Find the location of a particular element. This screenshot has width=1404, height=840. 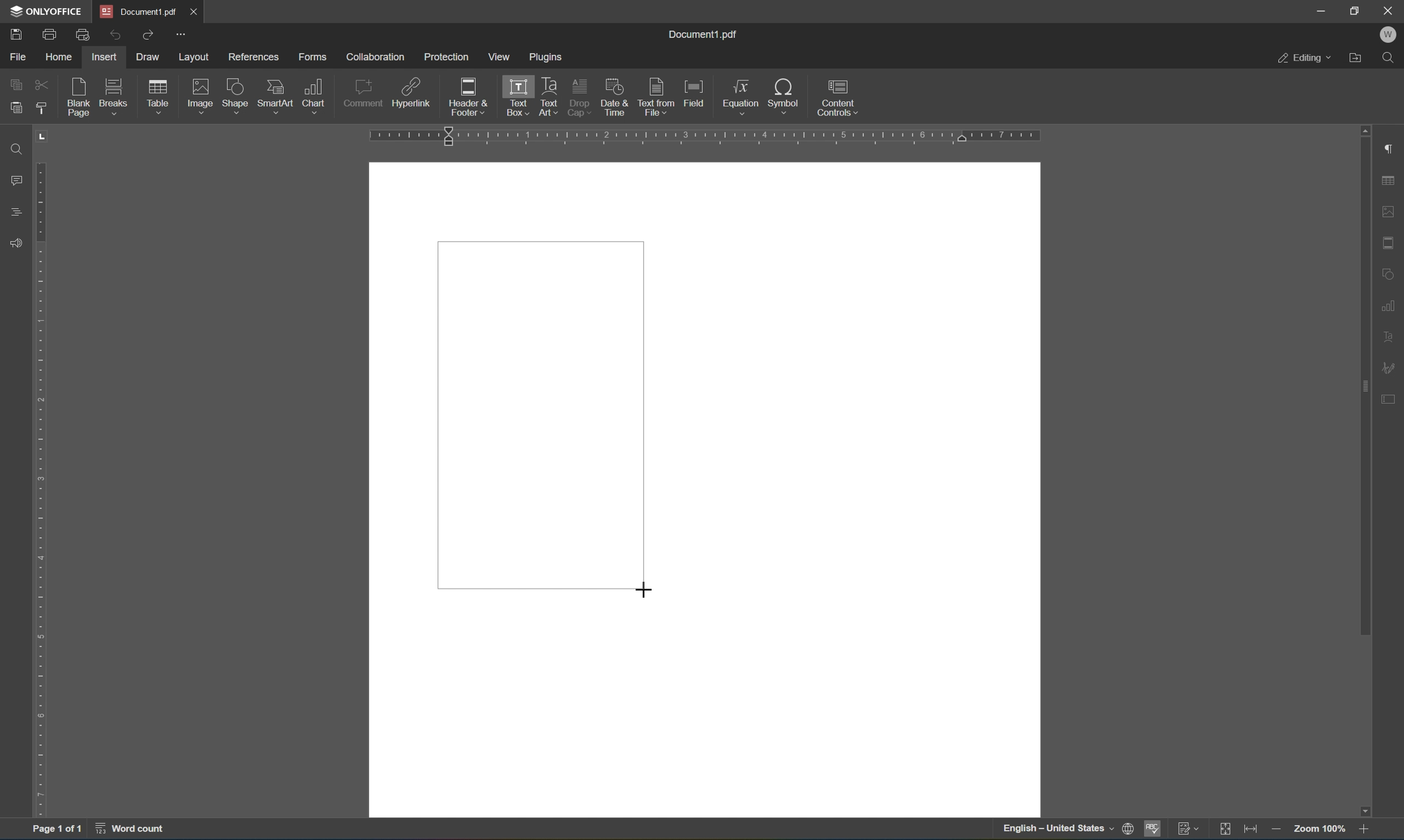

image is located at coordinates (202, 96).